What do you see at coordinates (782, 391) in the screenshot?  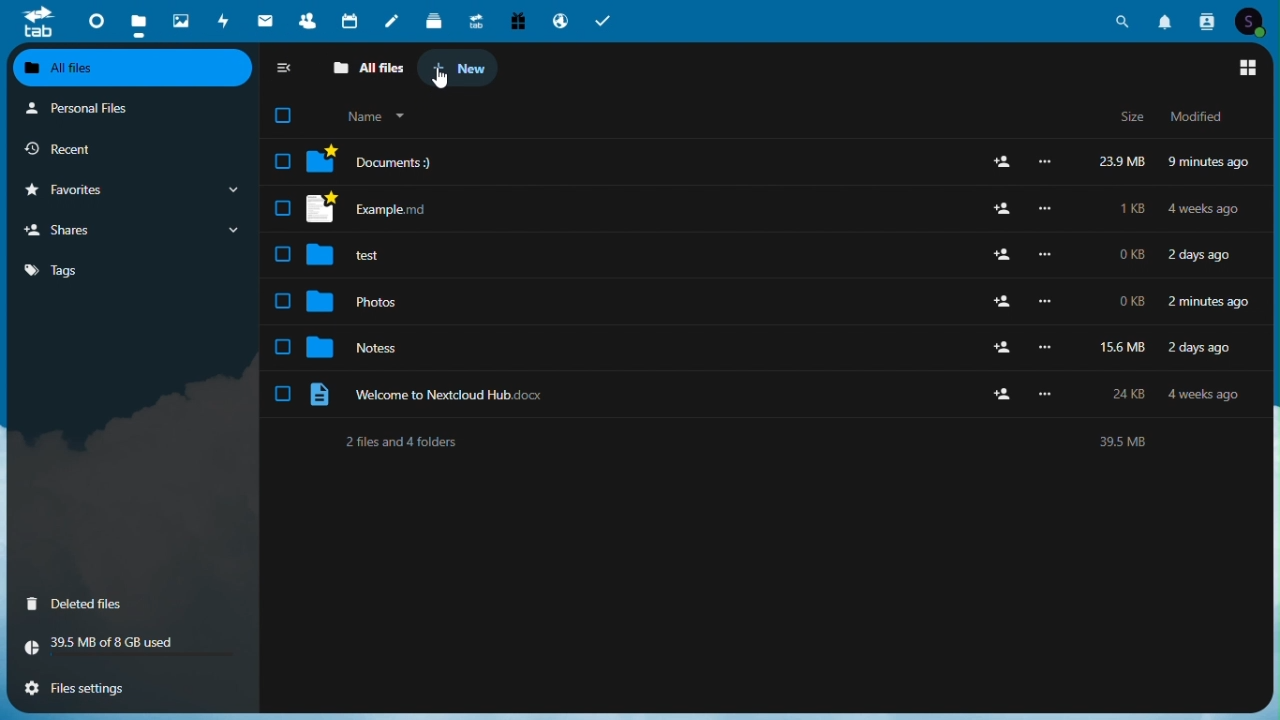 I see `Files` at bounding box center [782, 391].